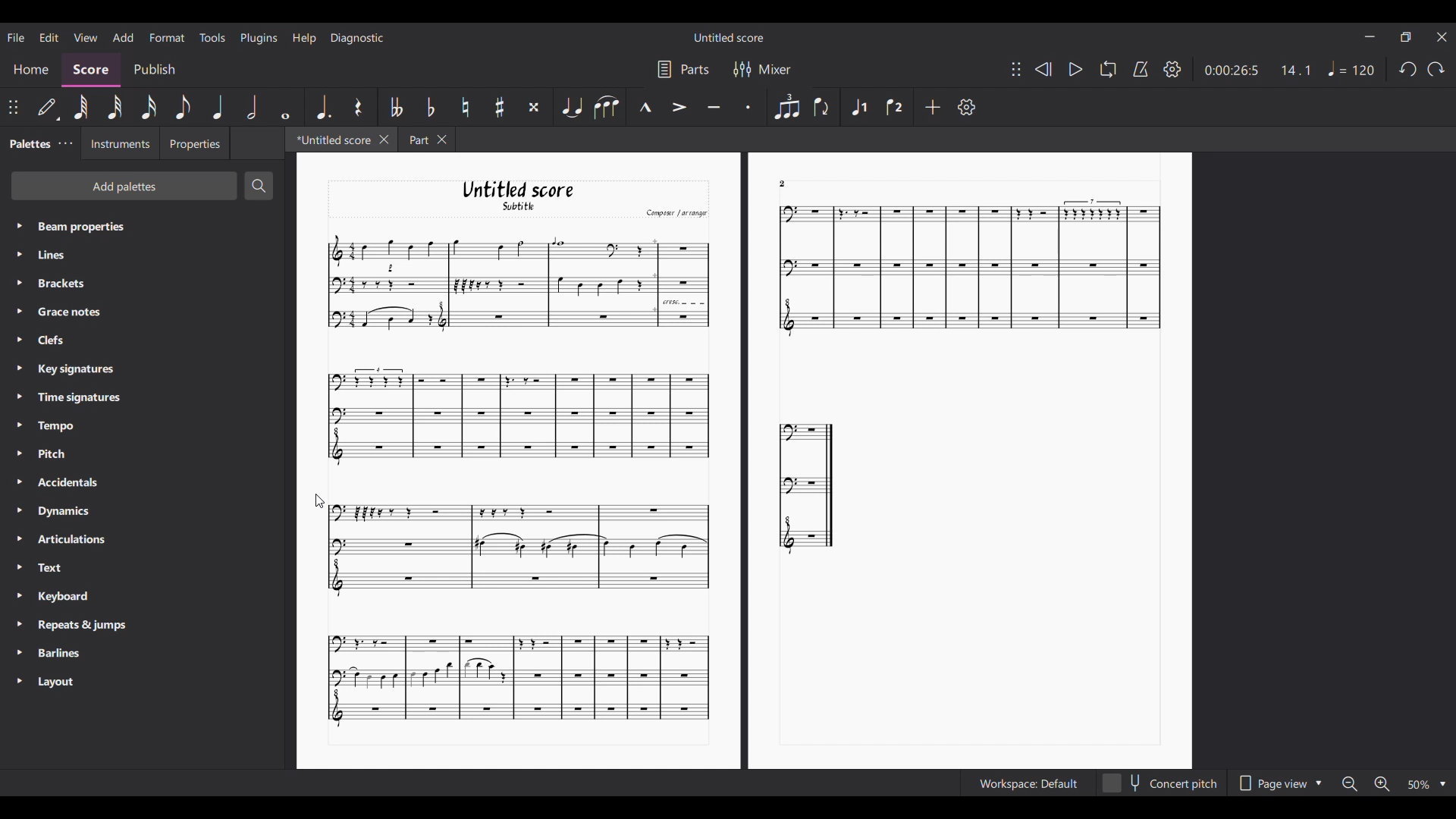  Describe the element at coordinates (183, 107) in the screenshot. I see `8th note` at that location.